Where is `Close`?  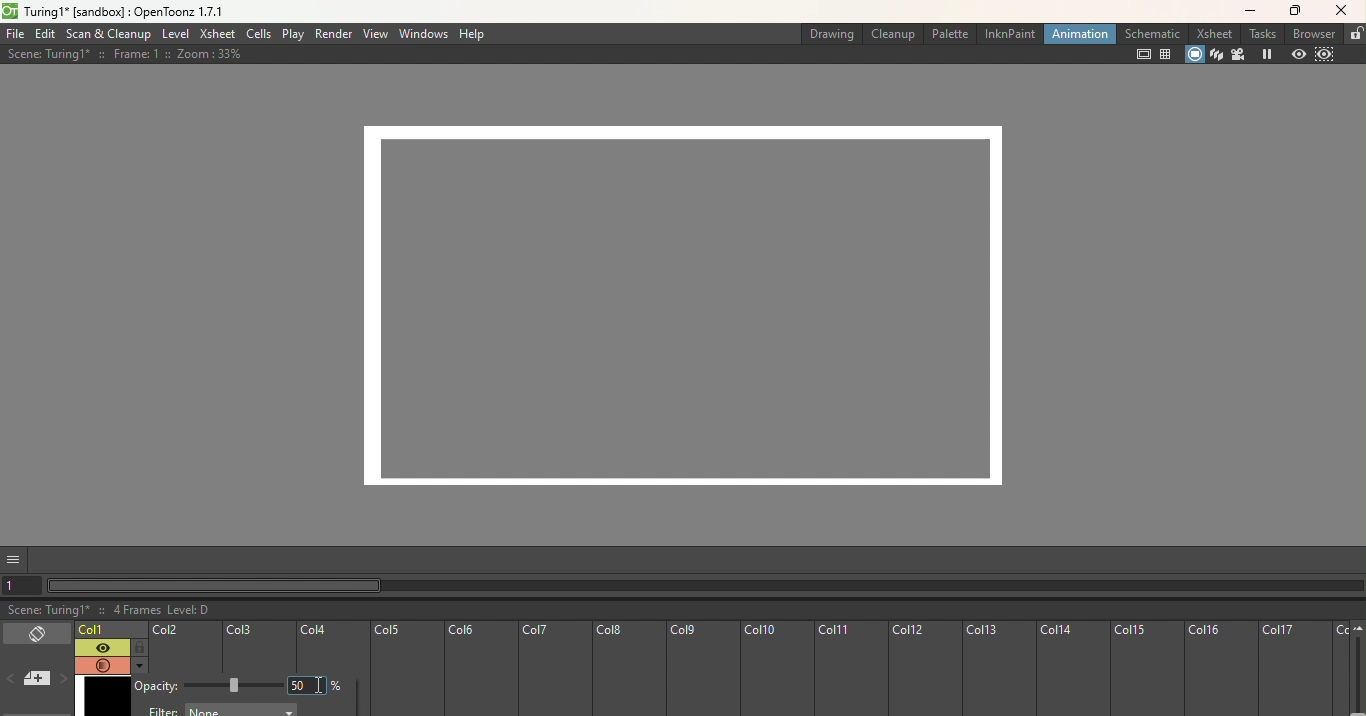
Close is located at coordinates (1344, 12).